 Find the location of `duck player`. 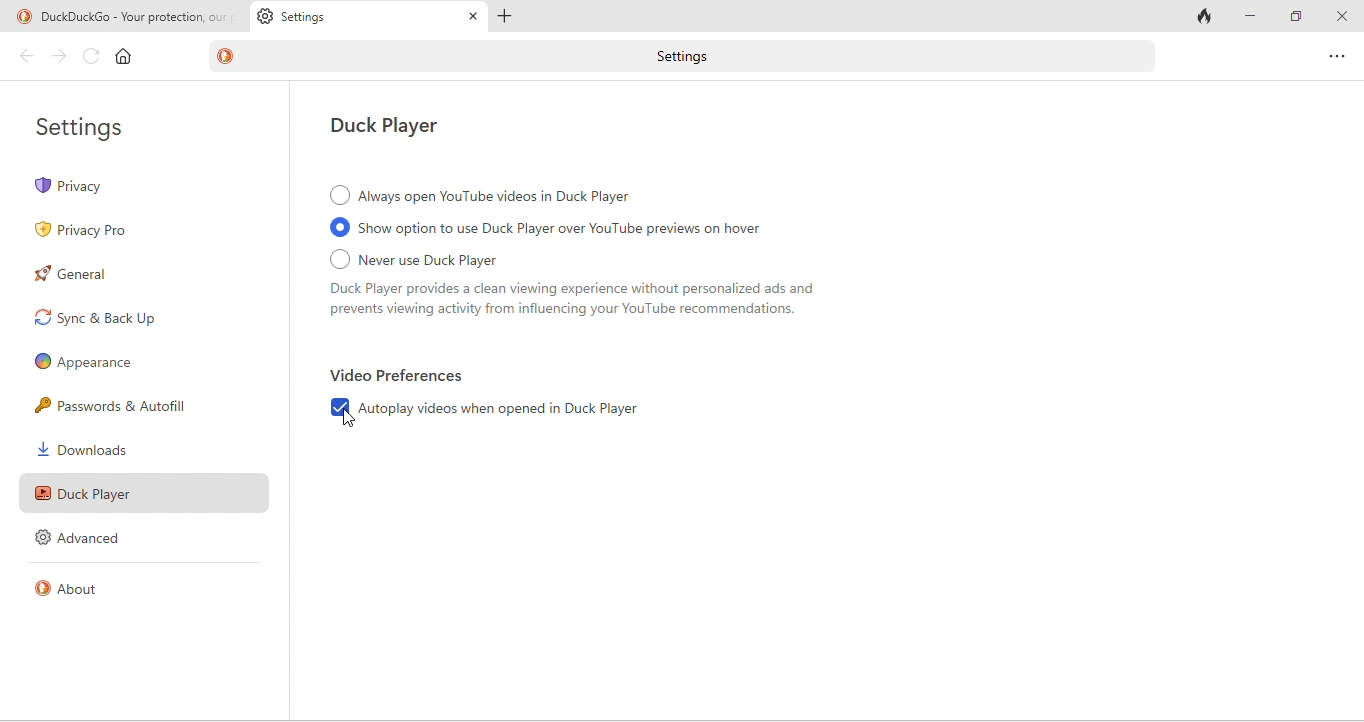

duck player is located at coordinates (394, 127).